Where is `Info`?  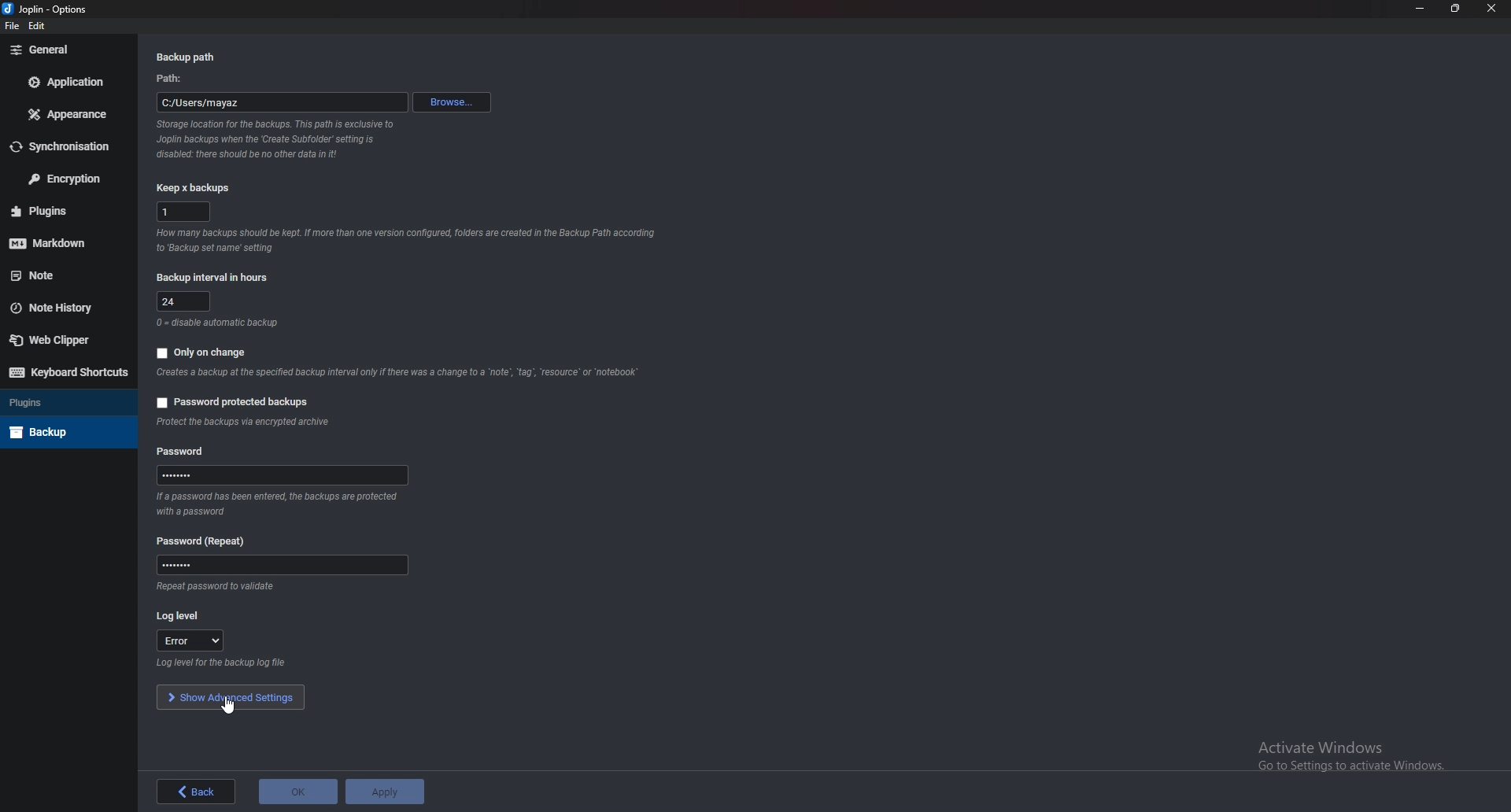
Info is located at coordinates (275, 502).